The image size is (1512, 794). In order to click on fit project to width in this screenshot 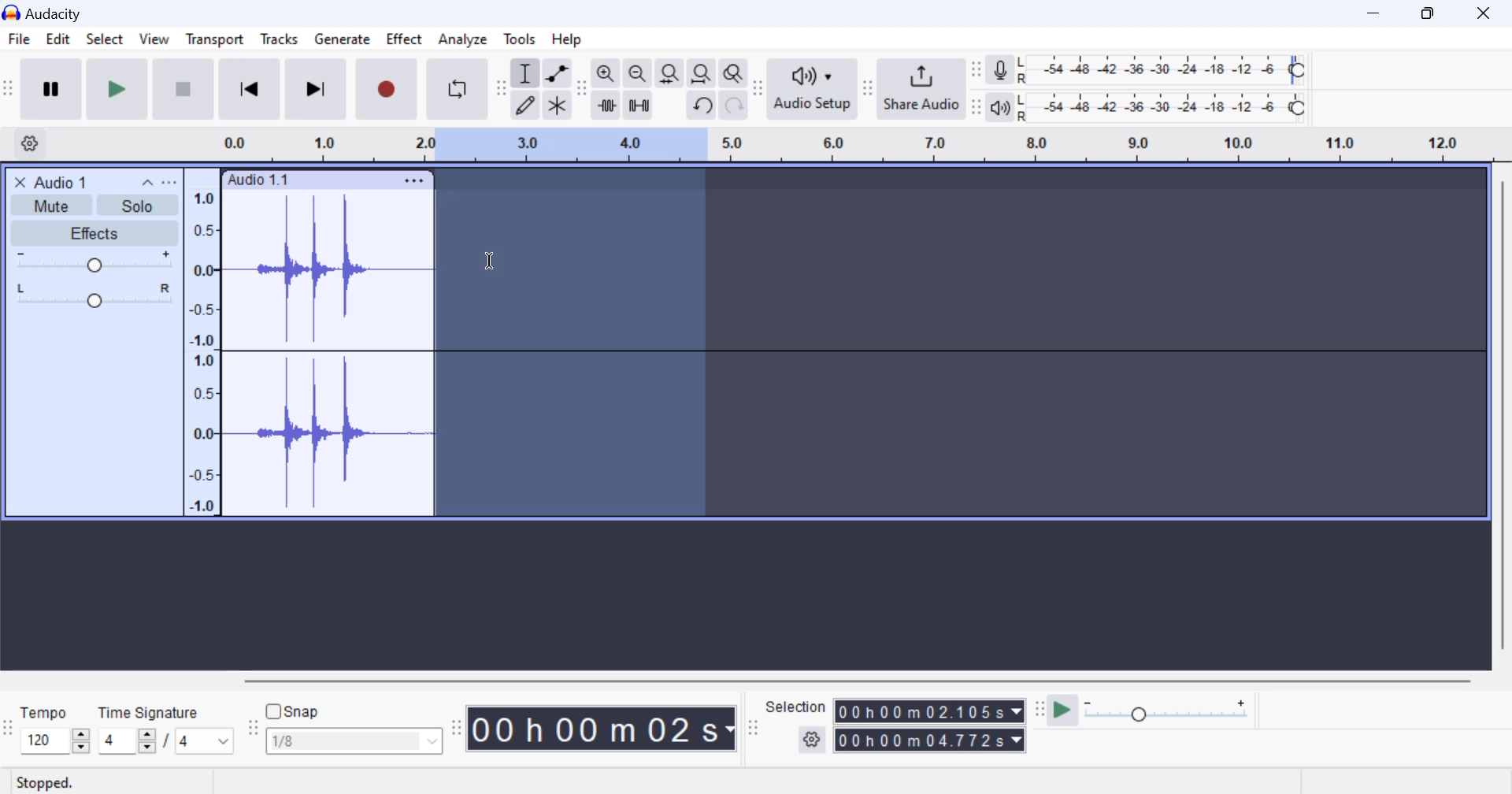, I will do `click(702, 74)`.